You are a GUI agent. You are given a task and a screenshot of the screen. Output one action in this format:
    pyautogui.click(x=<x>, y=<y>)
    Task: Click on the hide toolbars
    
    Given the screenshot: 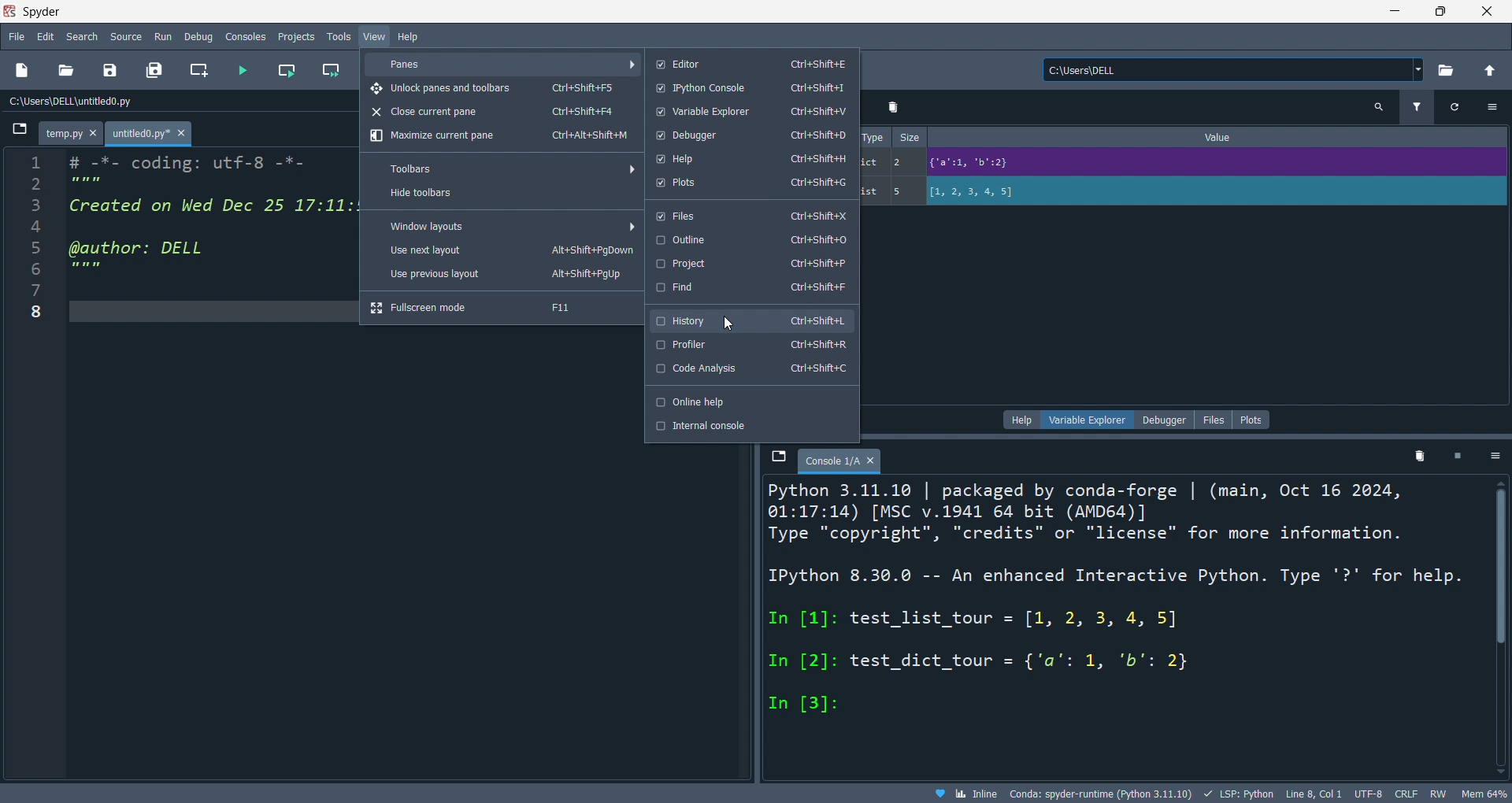 What is the action you would take?
    pyautogui.click(x=502, y=195)
    